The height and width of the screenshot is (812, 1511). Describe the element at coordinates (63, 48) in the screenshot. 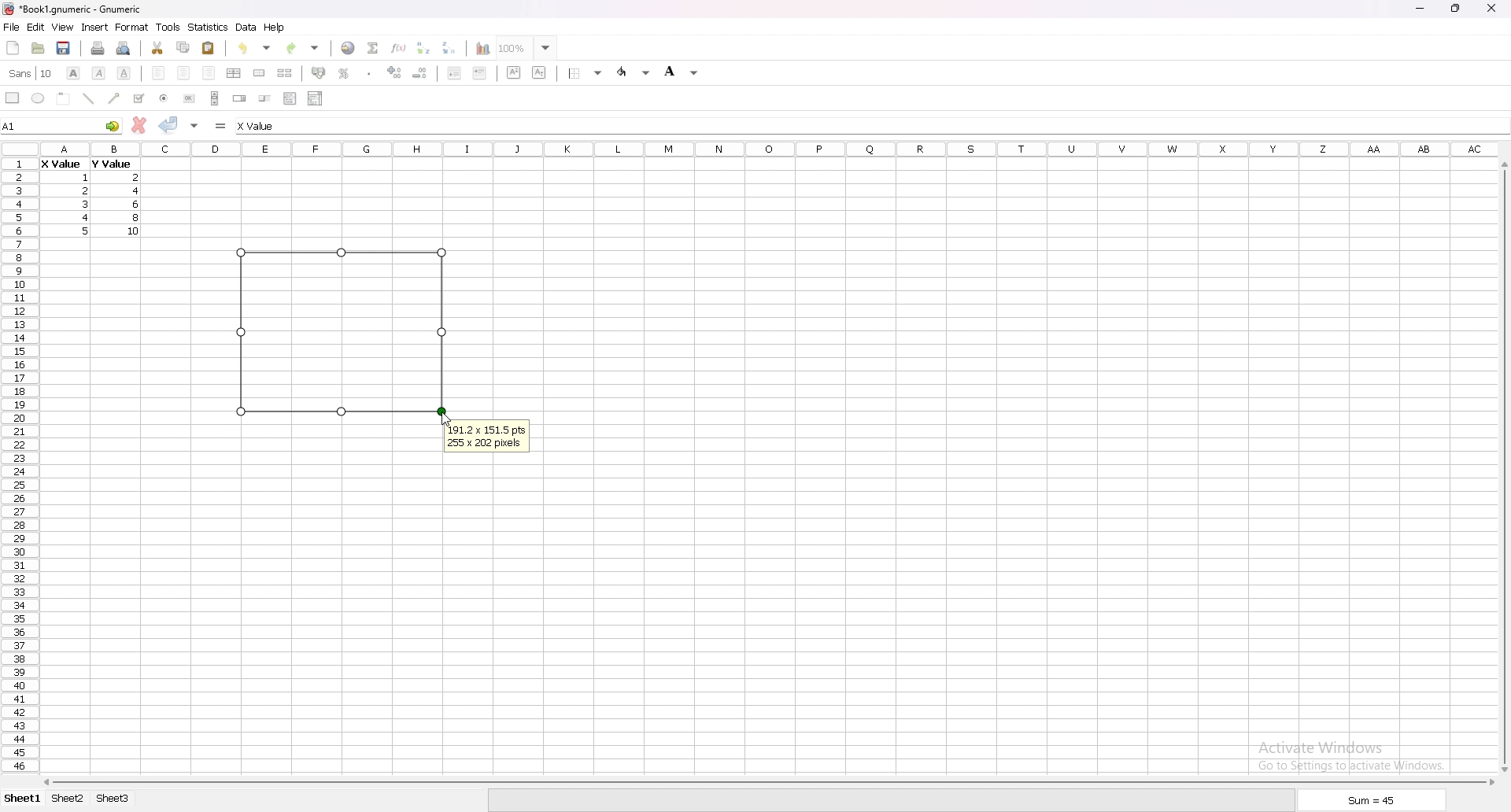

I see `save` at that location.